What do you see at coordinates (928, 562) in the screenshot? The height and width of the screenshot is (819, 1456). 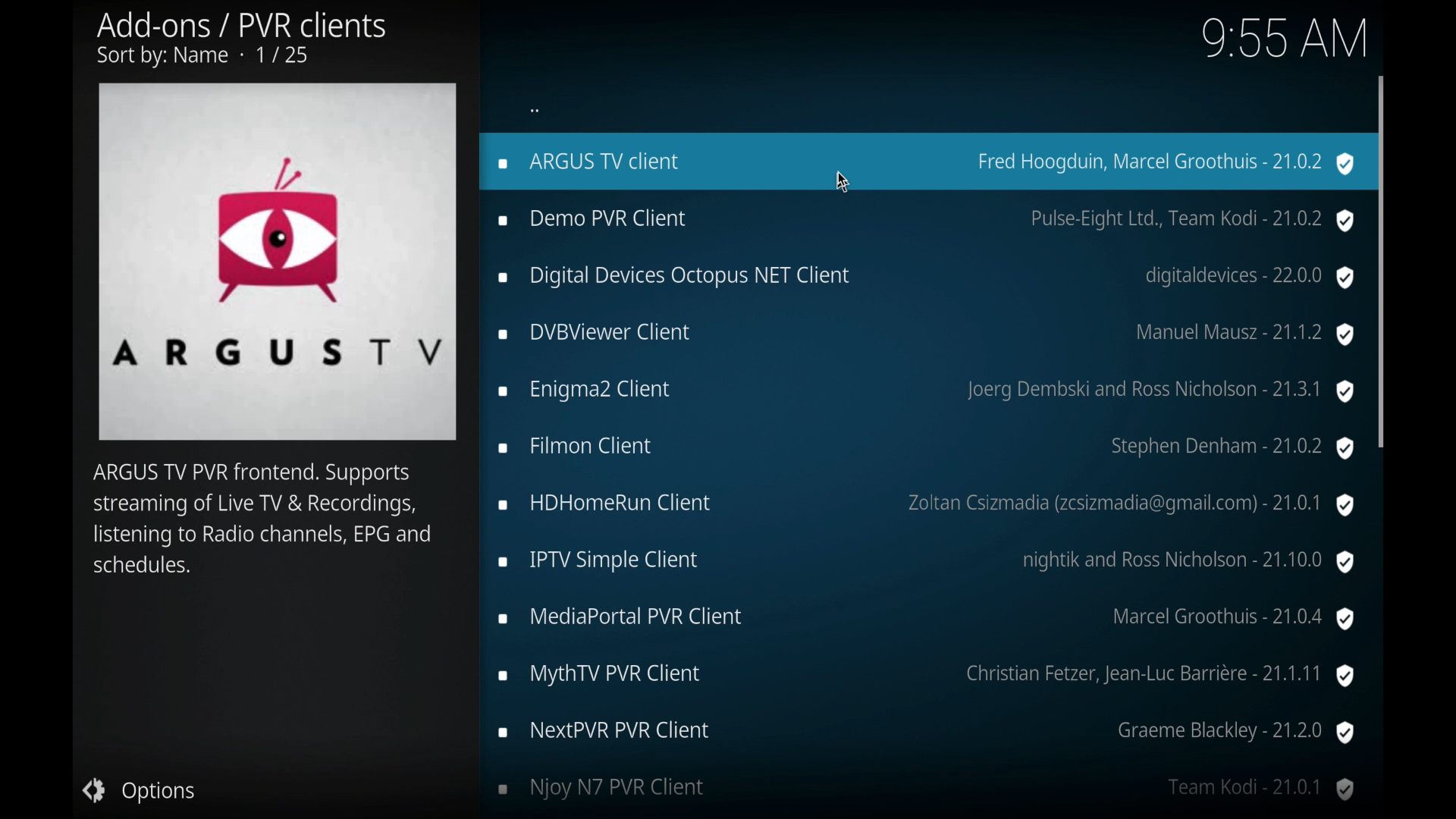 I see `iptv ` at bounding box center [928, 562].